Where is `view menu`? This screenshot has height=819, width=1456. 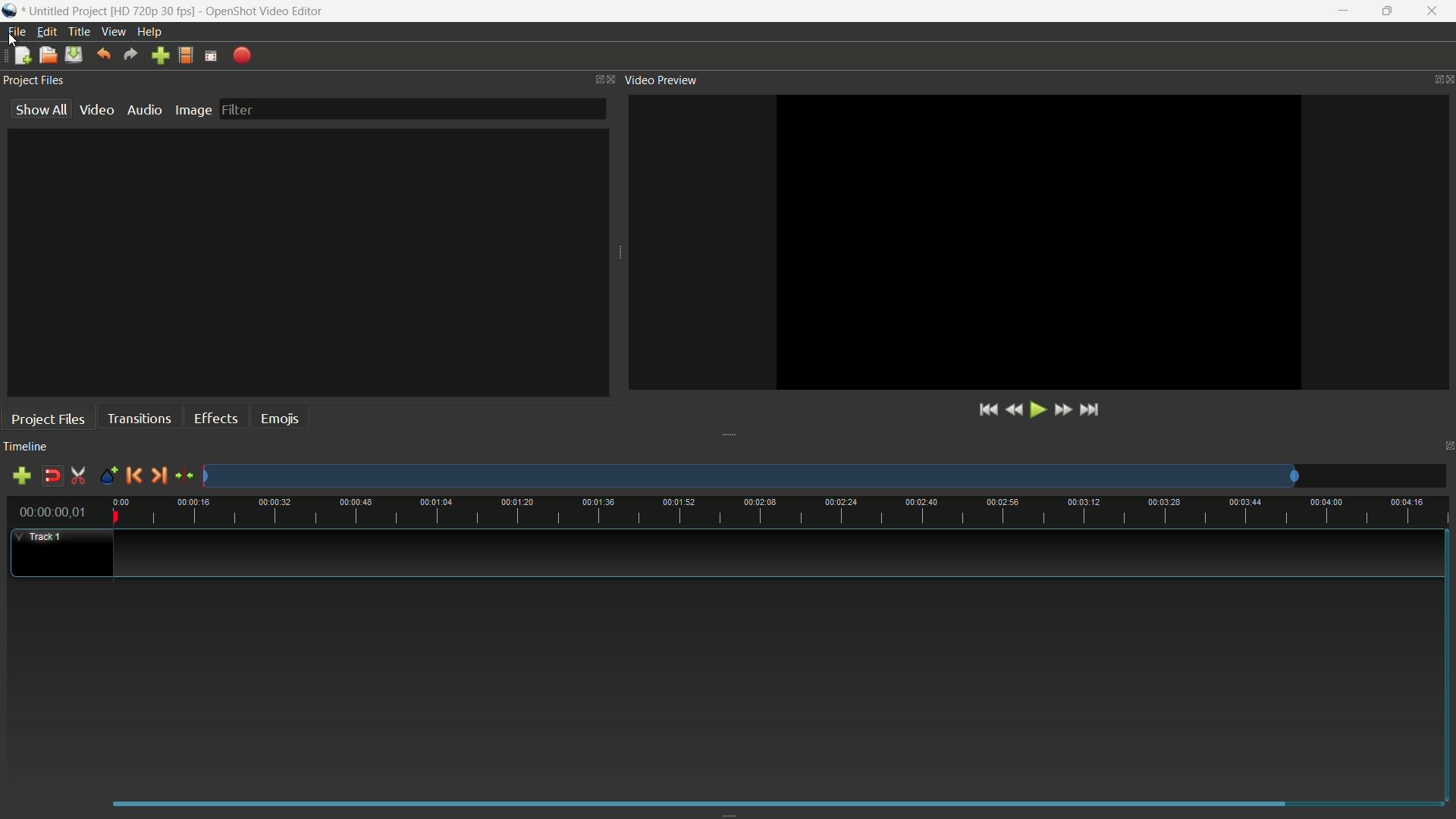 view menu is located at coordinates (112, 32).